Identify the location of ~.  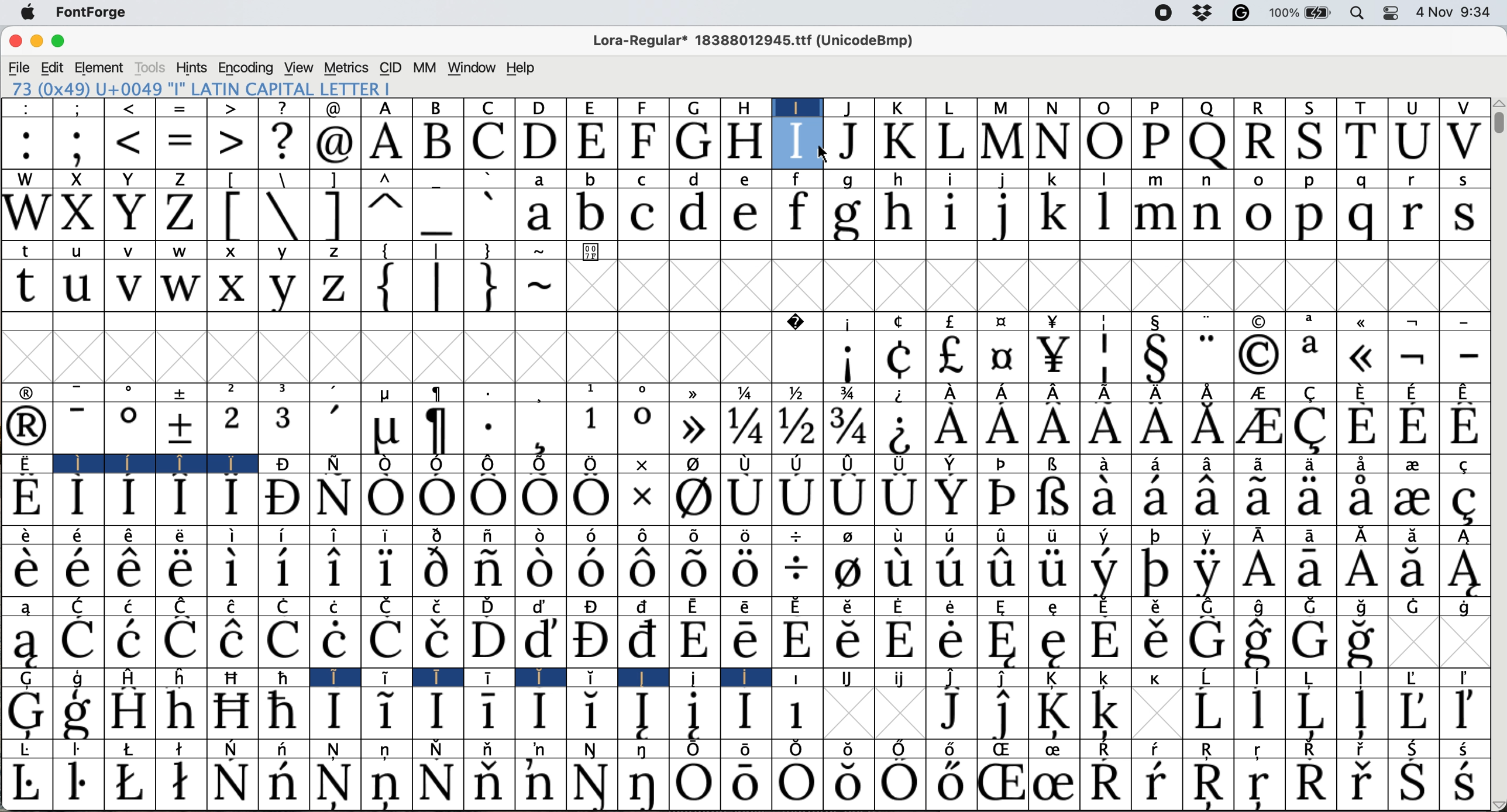
(542, 252).